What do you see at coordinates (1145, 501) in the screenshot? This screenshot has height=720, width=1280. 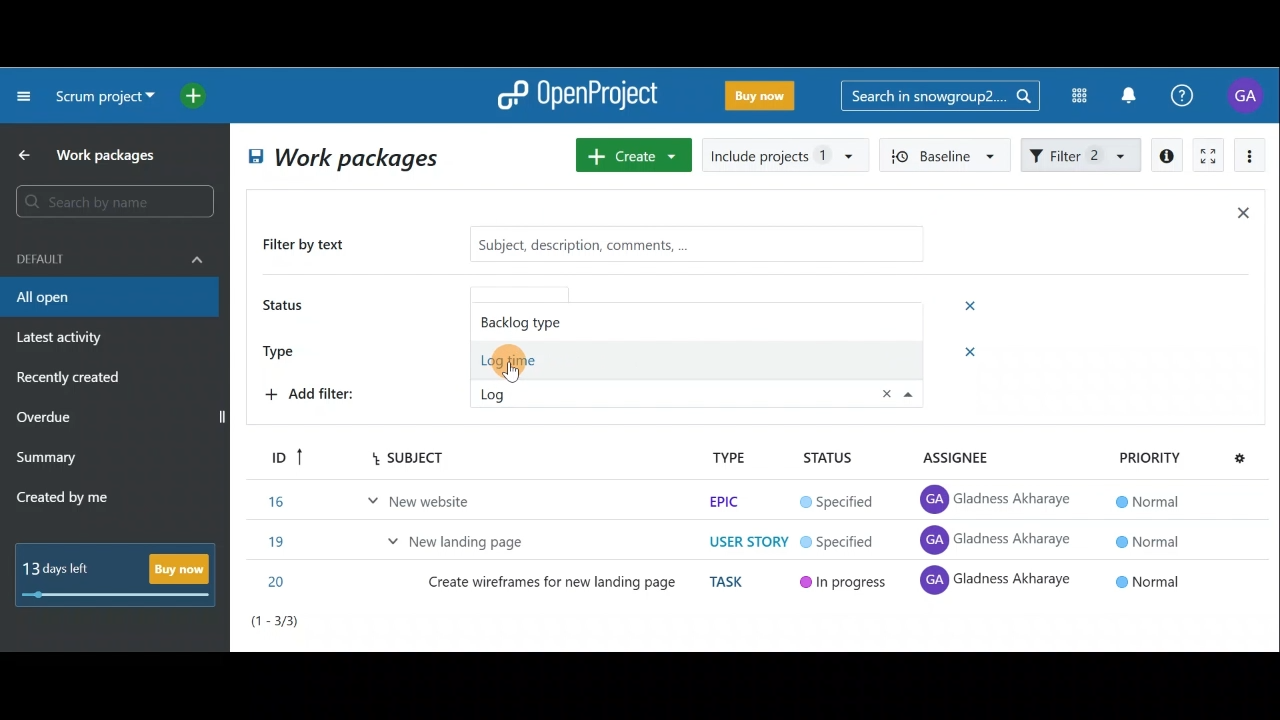 I see `normal` at bounding box center [1145, 501].